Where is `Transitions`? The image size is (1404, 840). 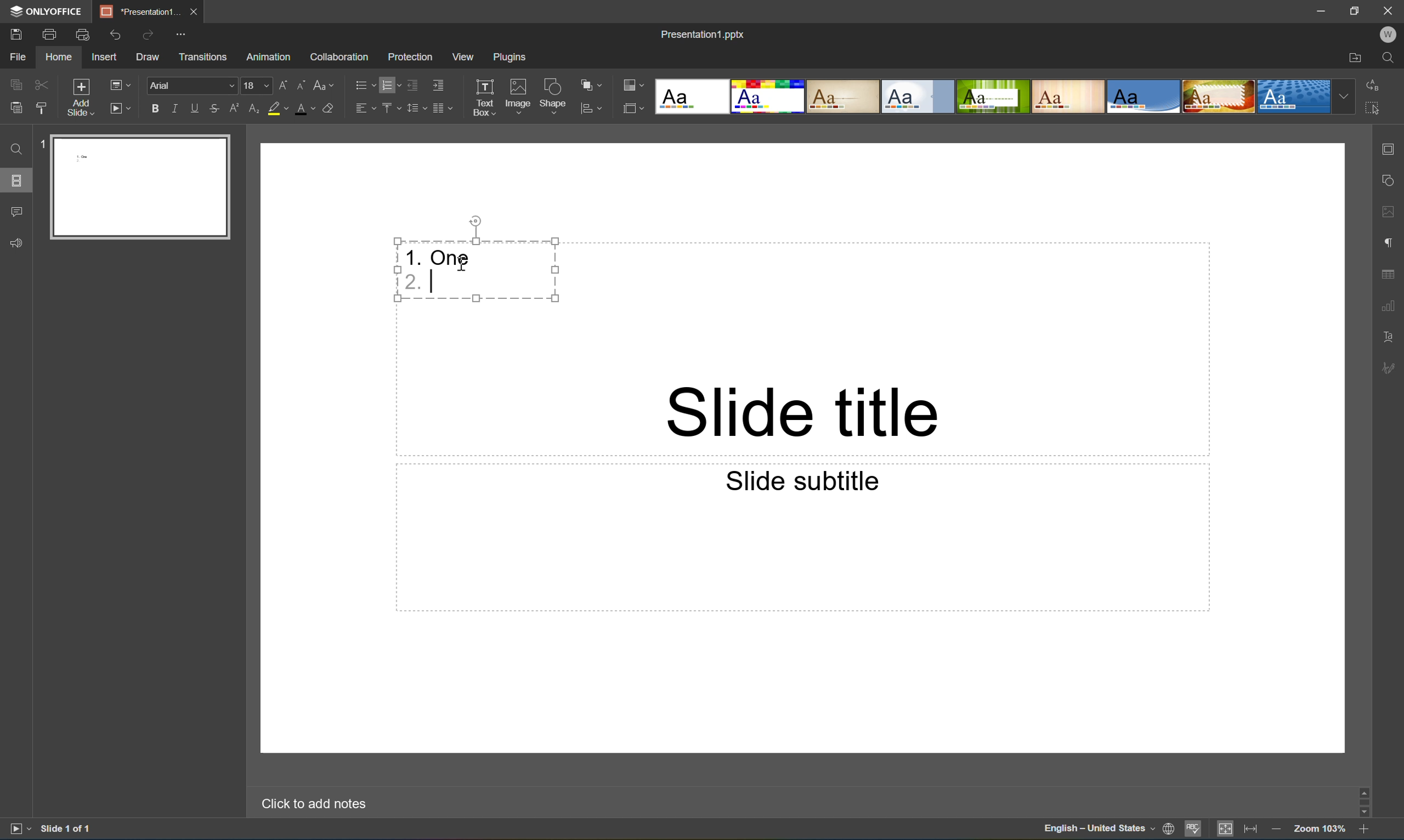
Transitions is located at coordinates (204, 57).